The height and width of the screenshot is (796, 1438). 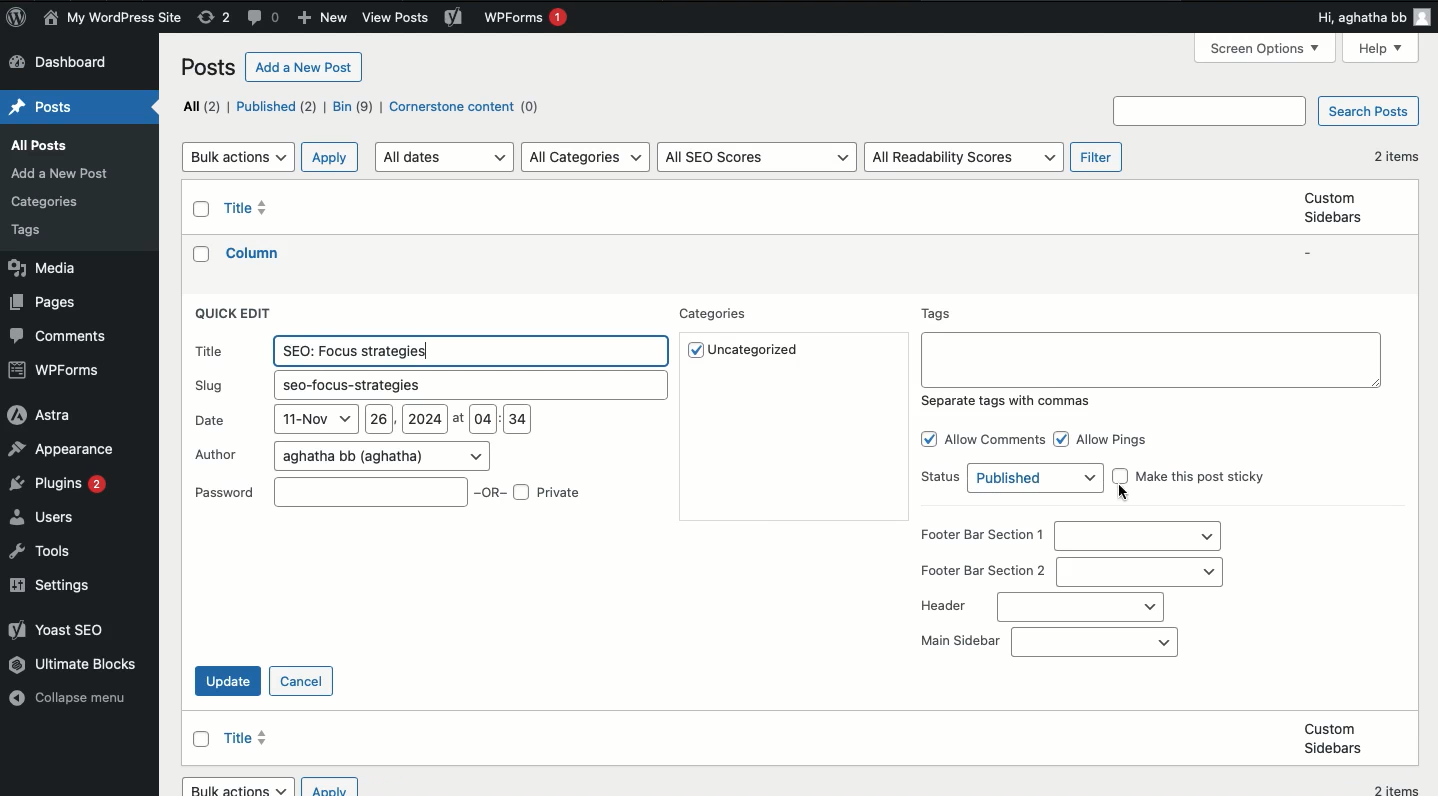 I want to click on textPassword , so click(x=226, y=492).